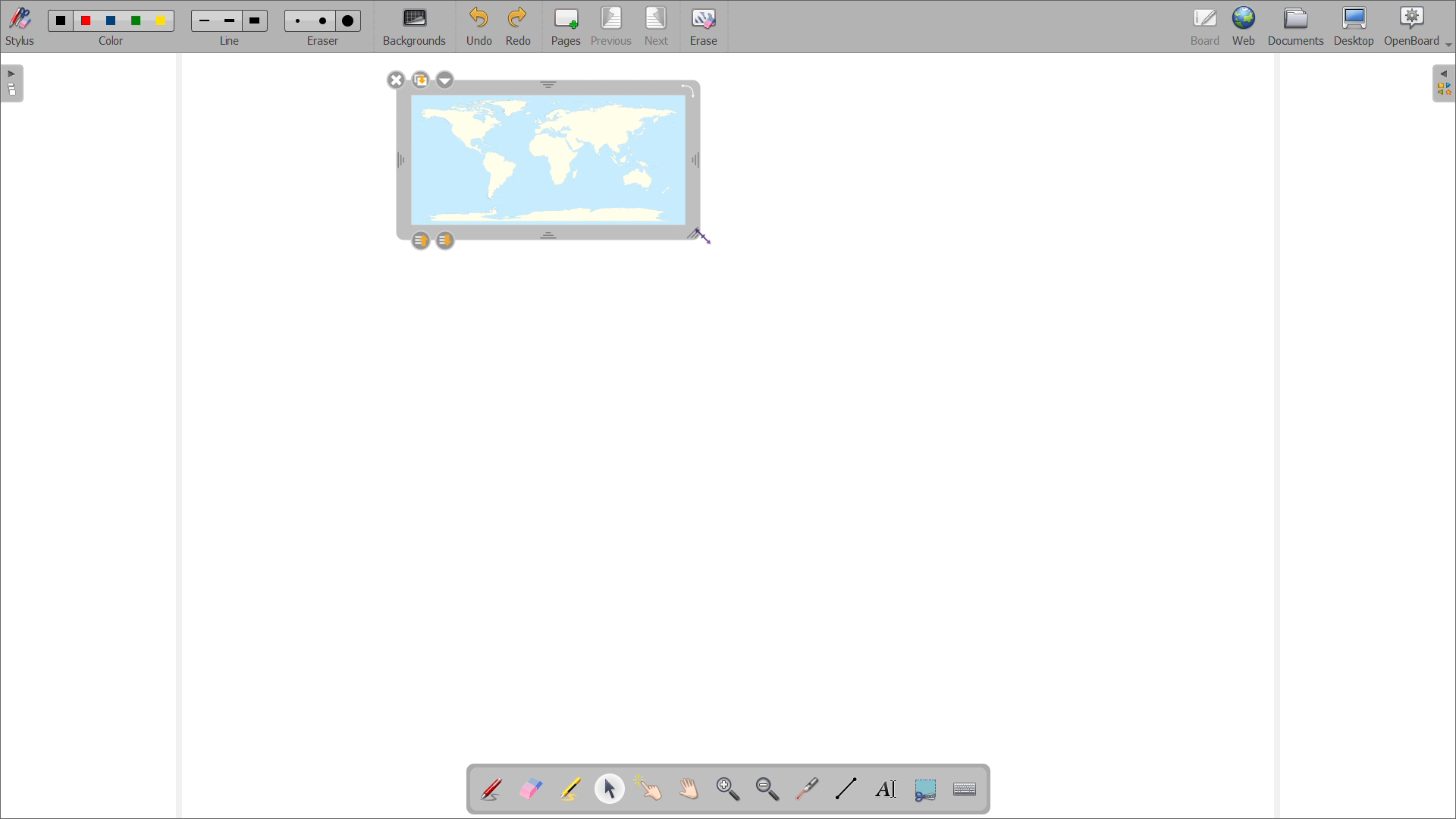 The height and width of the screenshot is (819, 1456). I want to click on layer down, so click(446, 240).